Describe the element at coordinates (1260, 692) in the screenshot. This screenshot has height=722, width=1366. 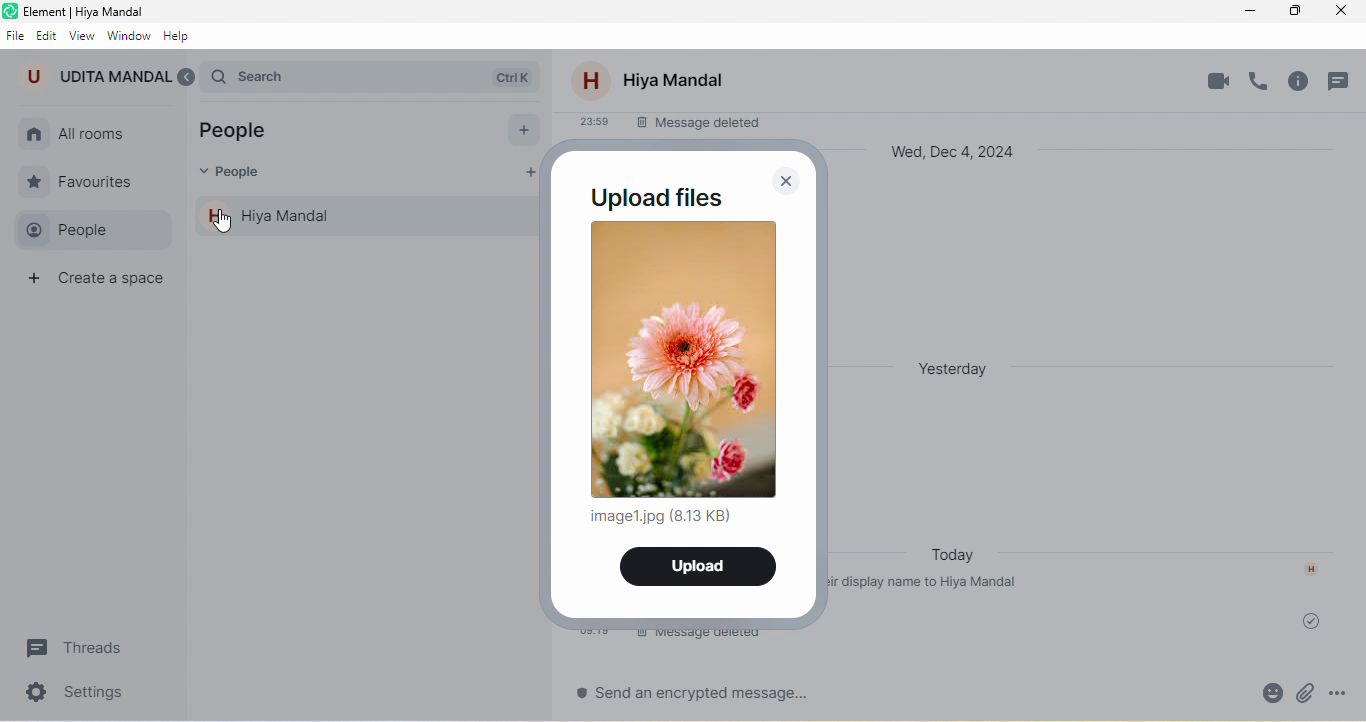
I see `attachment` at that location.